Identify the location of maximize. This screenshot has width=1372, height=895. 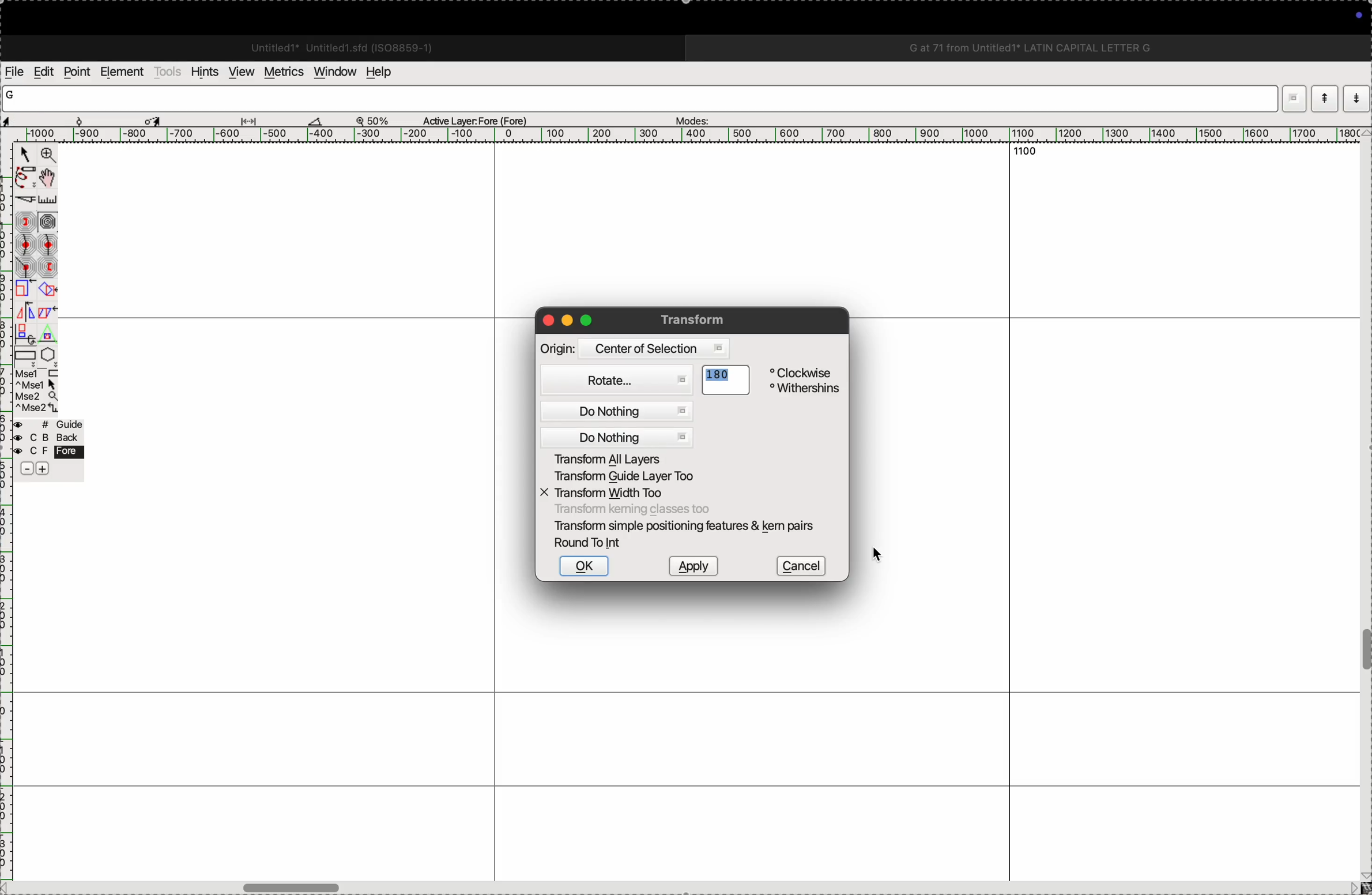
(591, 321).